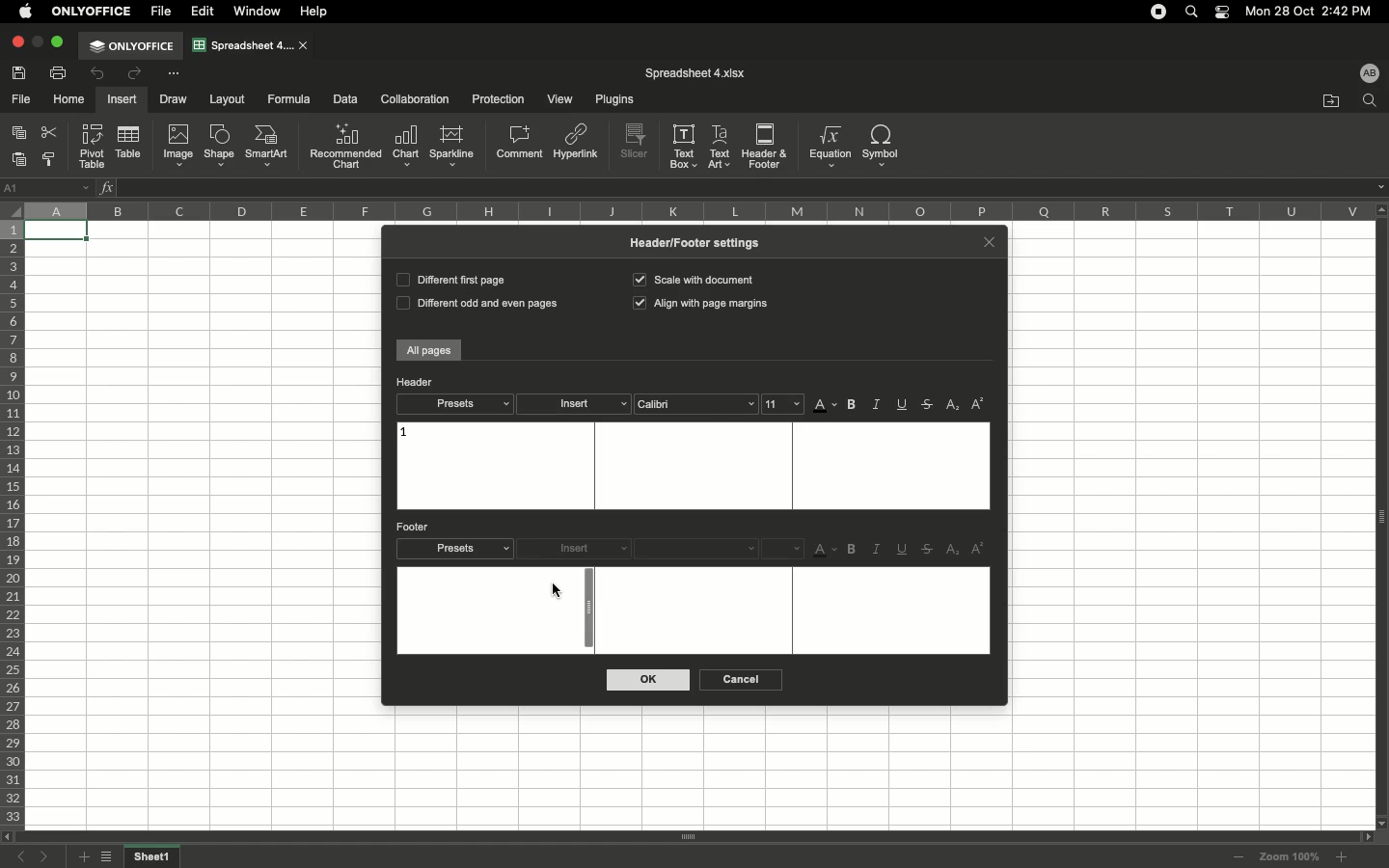 The image size is (1389, 868). Describe the element at coordinates (1369, 101) in the screenshot. I see `Find` at that location.